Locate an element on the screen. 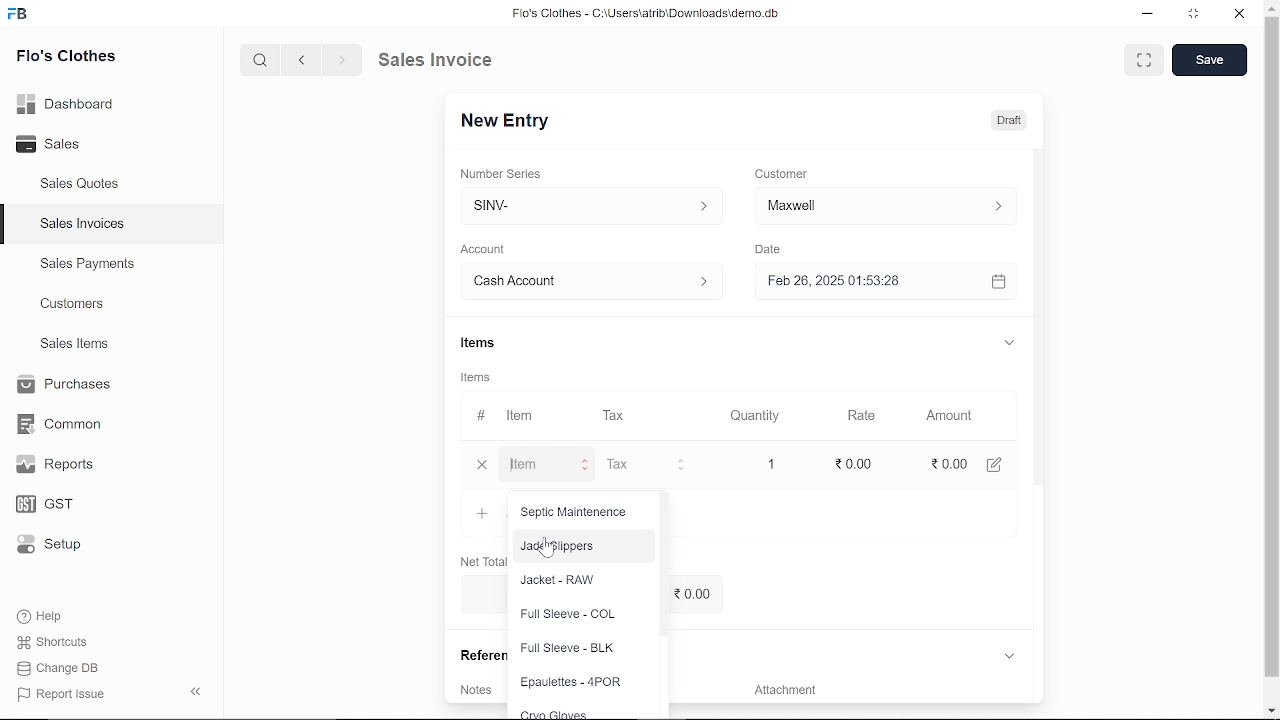 This screenshot has height=720, width=1280. Sales Quotes is located at coordinates (82, 185).